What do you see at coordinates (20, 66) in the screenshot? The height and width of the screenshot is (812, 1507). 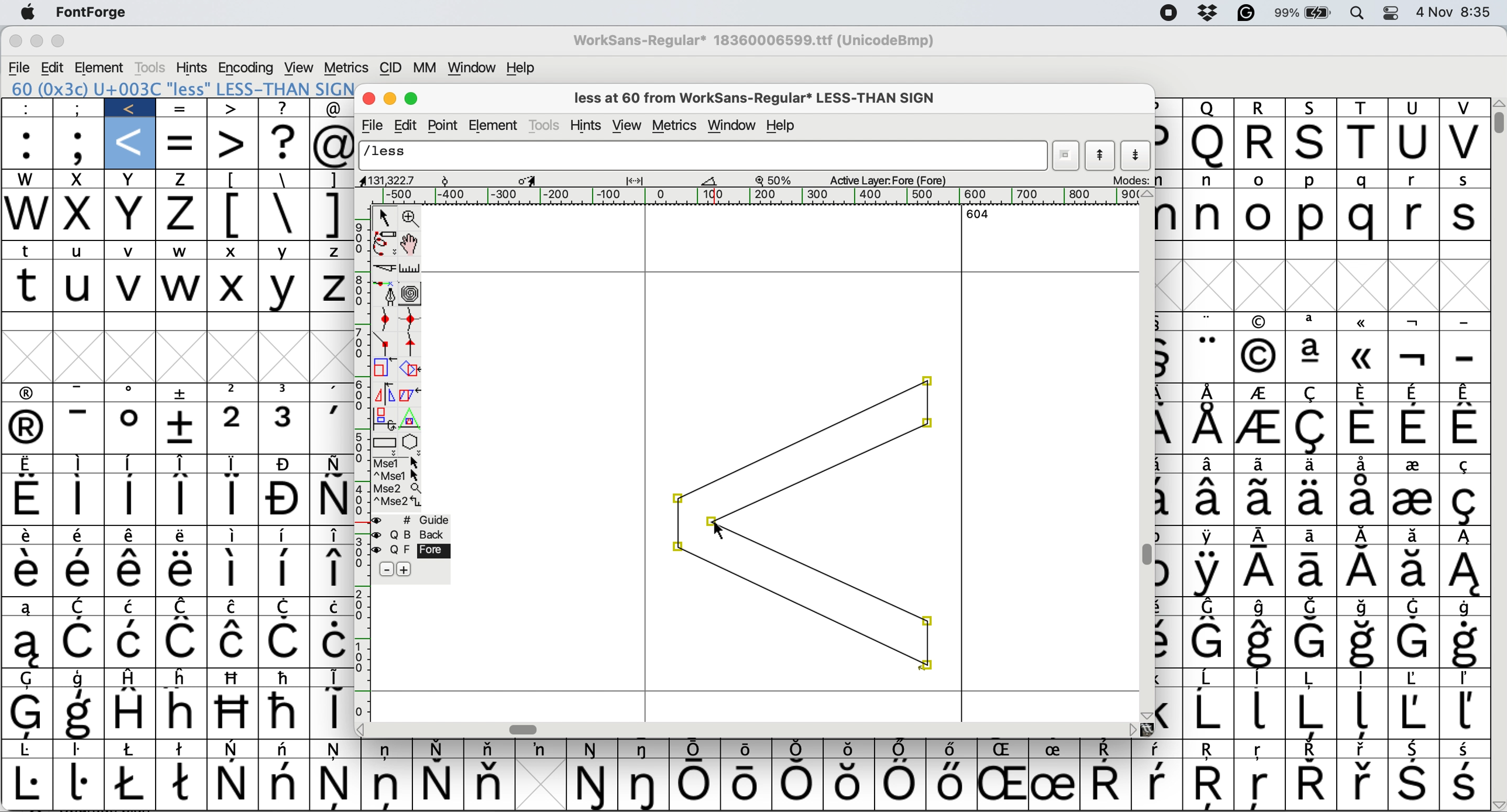 I see `file` at bounding box center [20, 66].